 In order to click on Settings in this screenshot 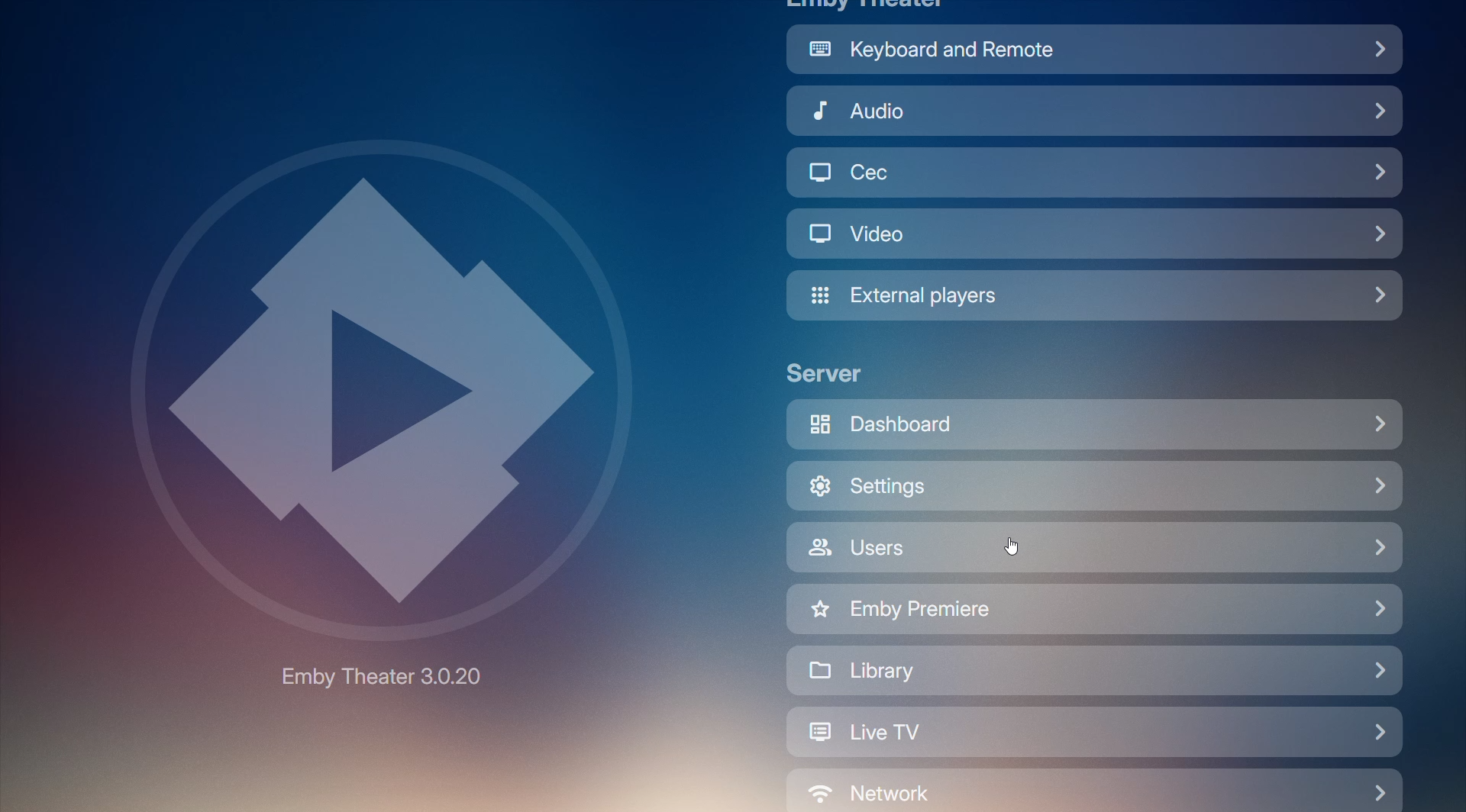, I will do `click(1096, 484)`.